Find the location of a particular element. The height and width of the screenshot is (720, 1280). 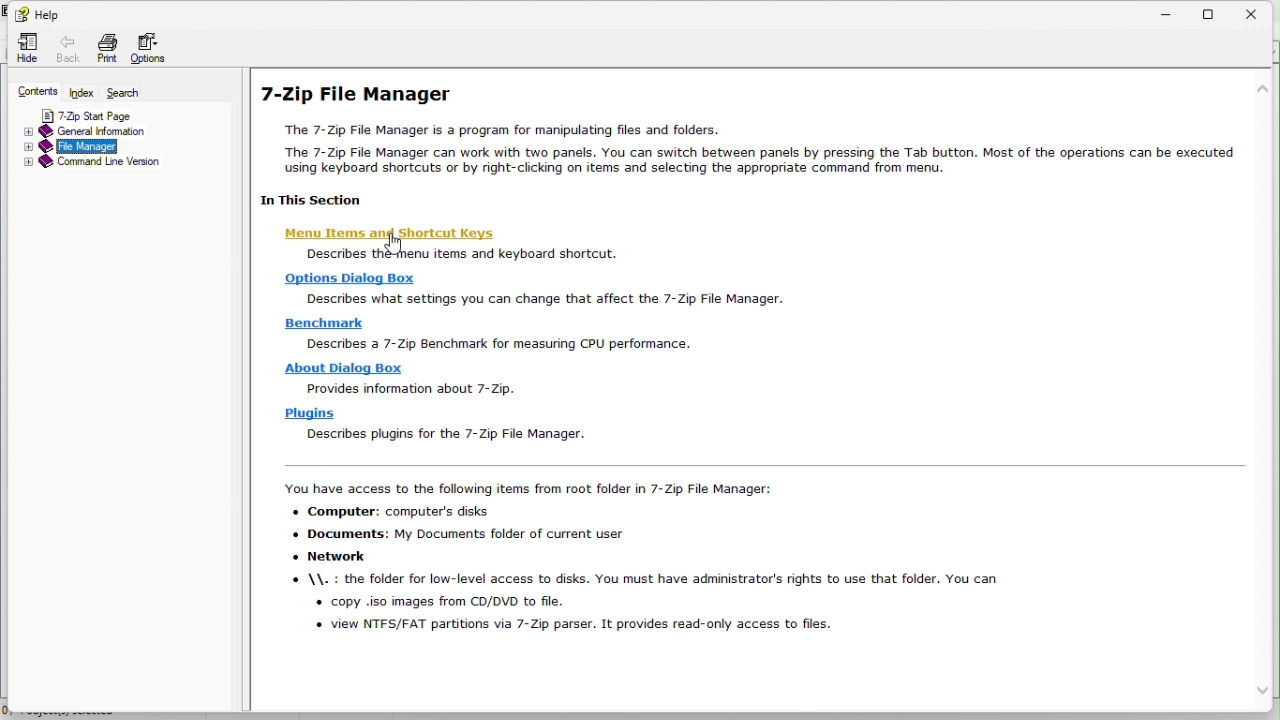

Minimize is located at coordinates (1168, 11).